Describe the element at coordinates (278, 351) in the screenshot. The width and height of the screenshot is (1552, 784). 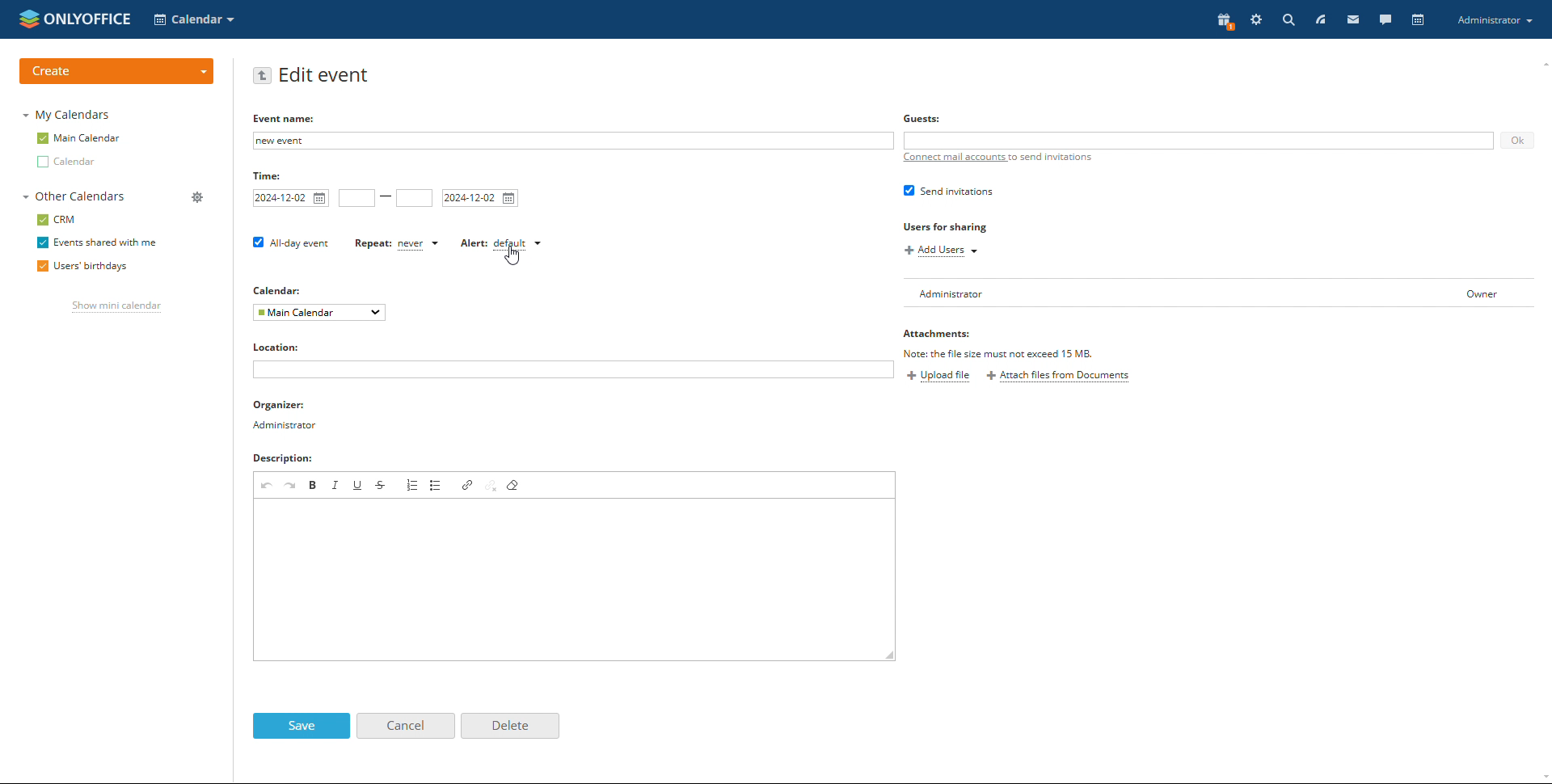
I see `locations` at that location.